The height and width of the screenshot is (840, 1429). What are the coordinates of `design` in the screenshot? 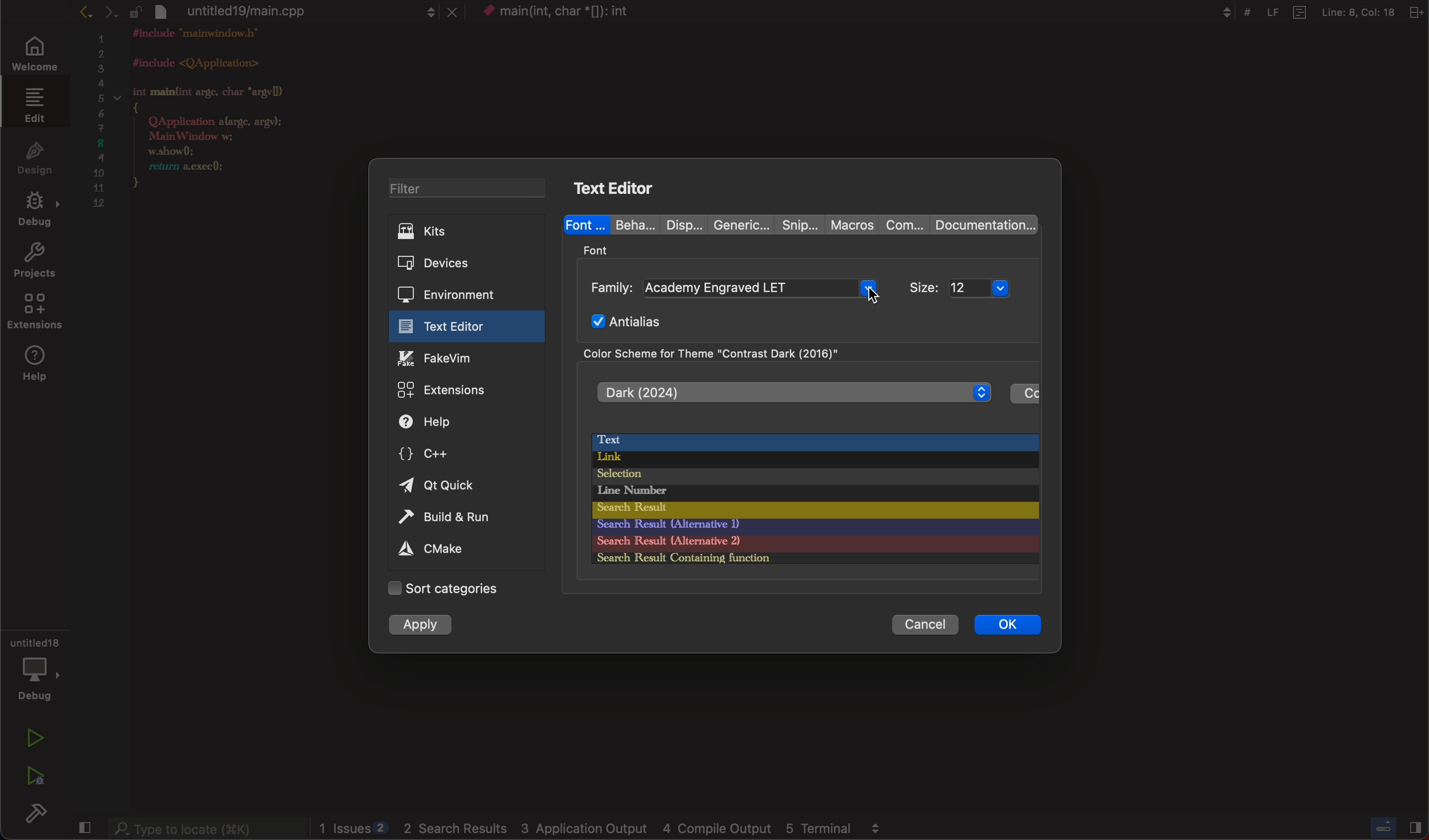 It's located at (32, 160).